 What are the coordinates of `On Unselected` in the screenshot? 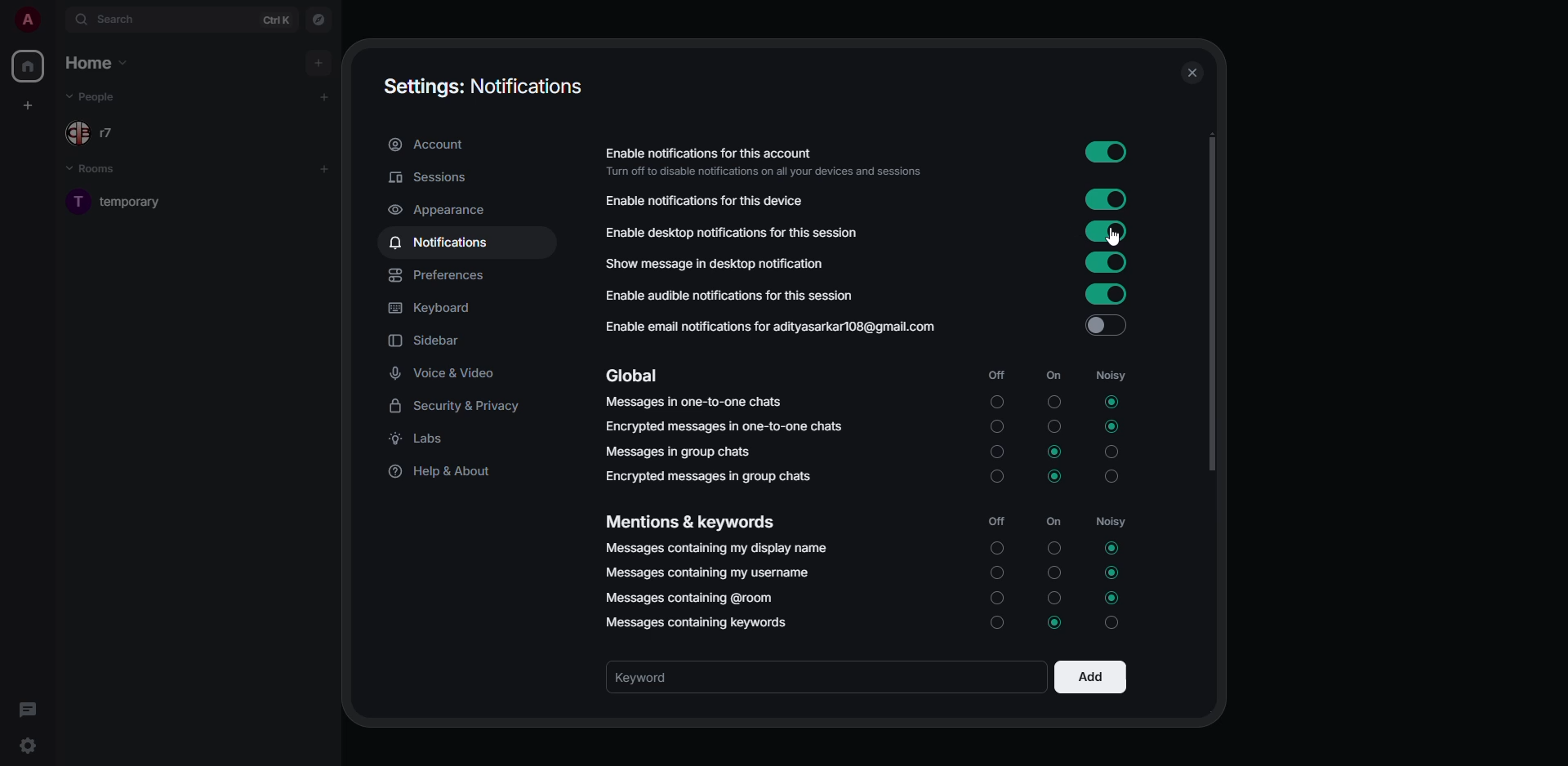 It's located at (1053, 426).